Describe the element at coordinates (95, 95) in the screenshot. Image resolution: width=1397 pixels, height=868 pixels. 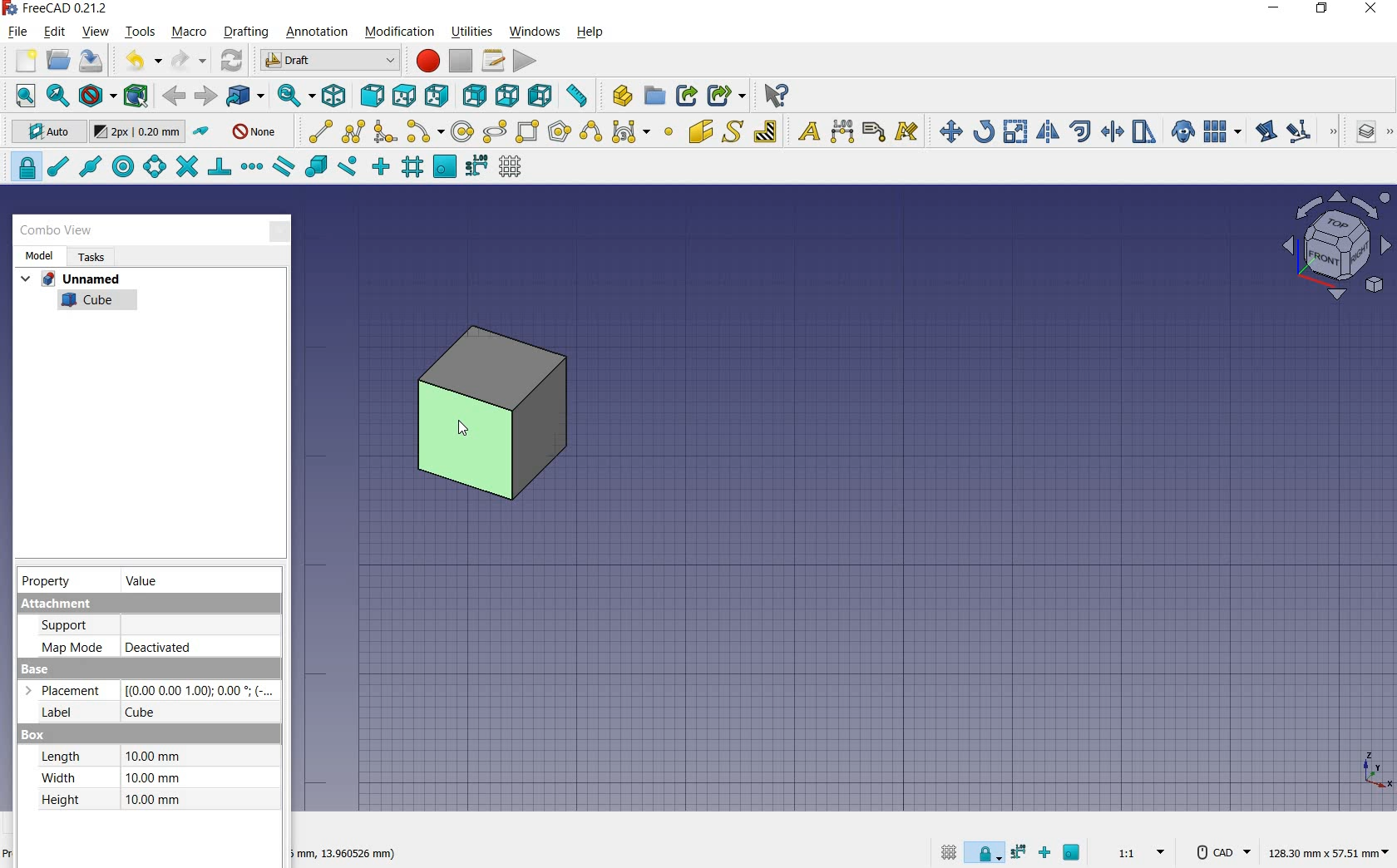
I see `draw style` at that location.